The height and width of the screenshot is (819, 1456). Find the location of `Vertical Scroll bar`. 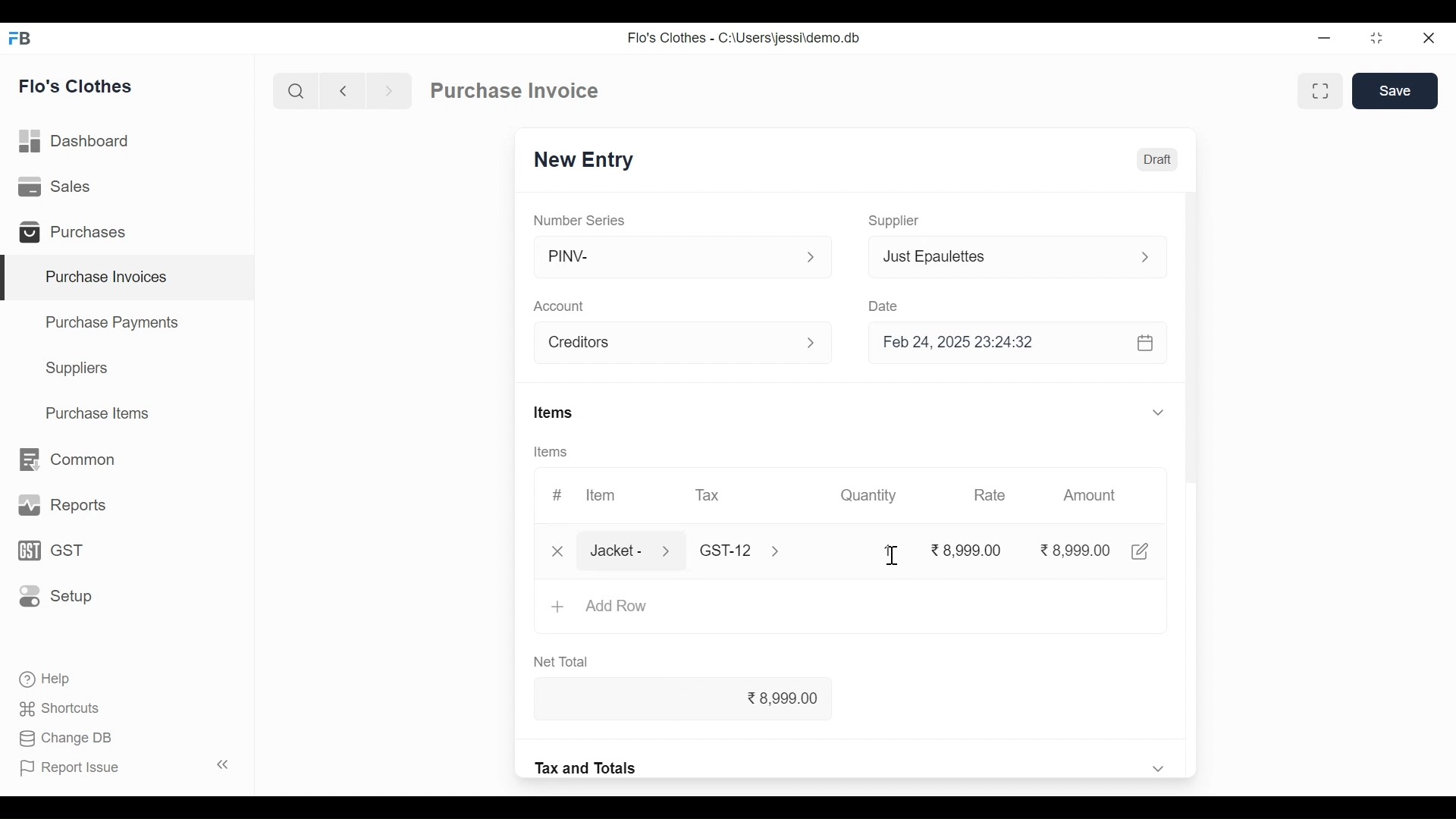

Vertical Scroll bar is located at coordinates (1197, 416).